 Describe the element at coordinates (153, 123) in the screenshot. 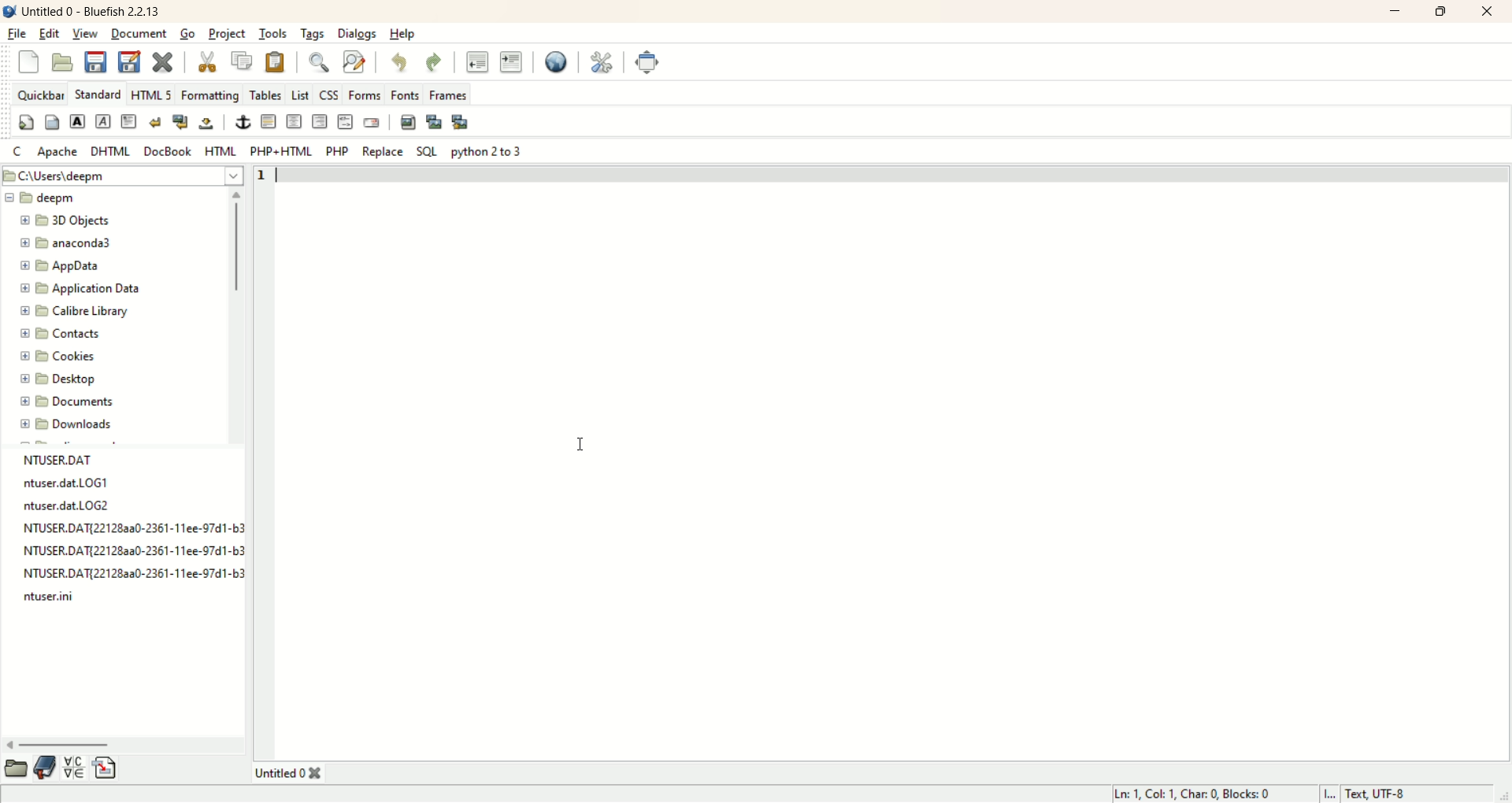

I see `break` at that location.